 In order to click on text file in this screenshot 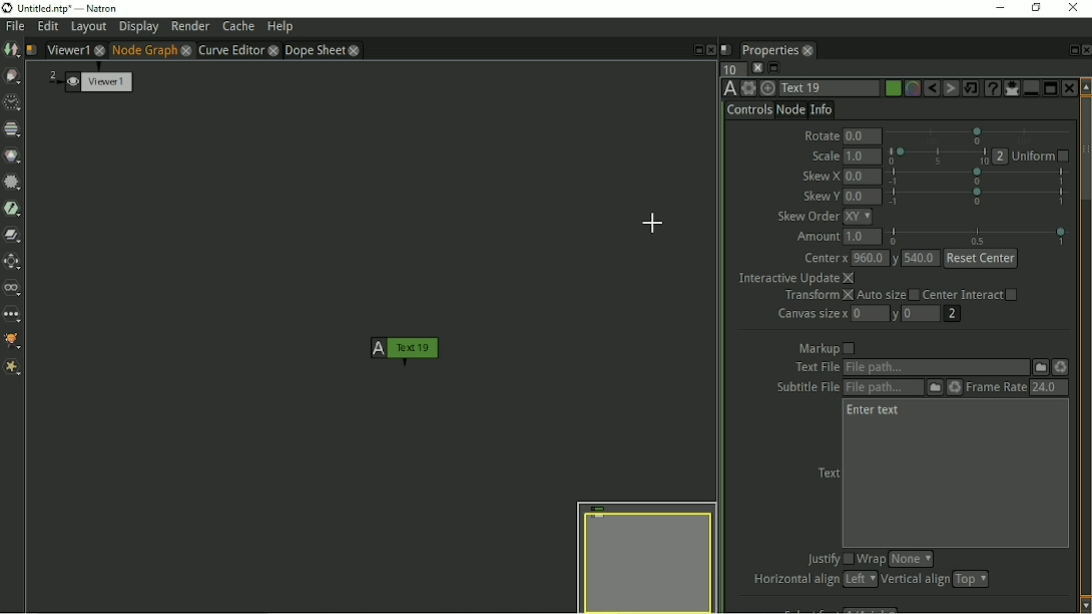, I will do `click(816, 366)`.